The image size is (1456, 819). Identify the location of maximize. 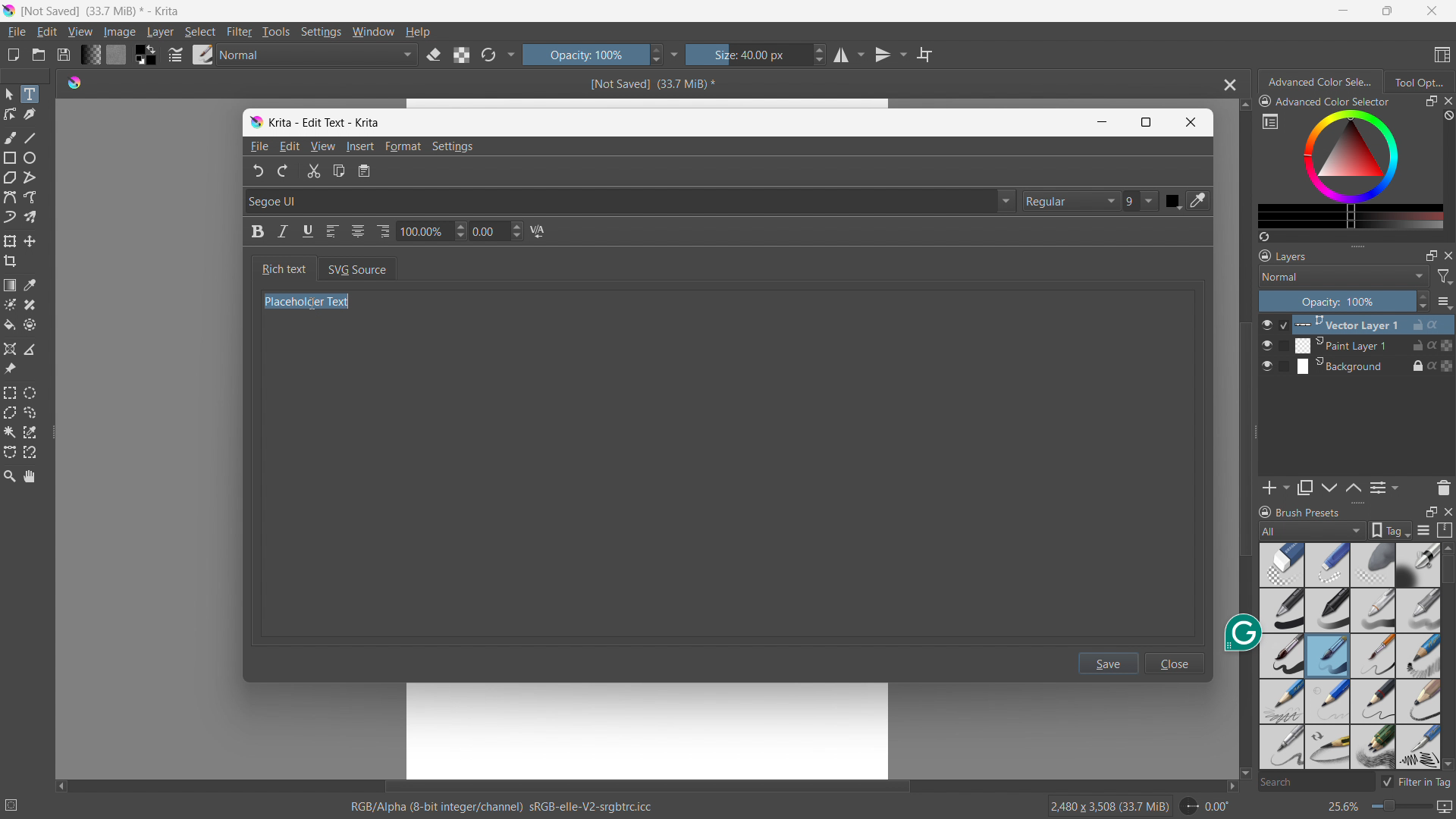
(1430, 511).